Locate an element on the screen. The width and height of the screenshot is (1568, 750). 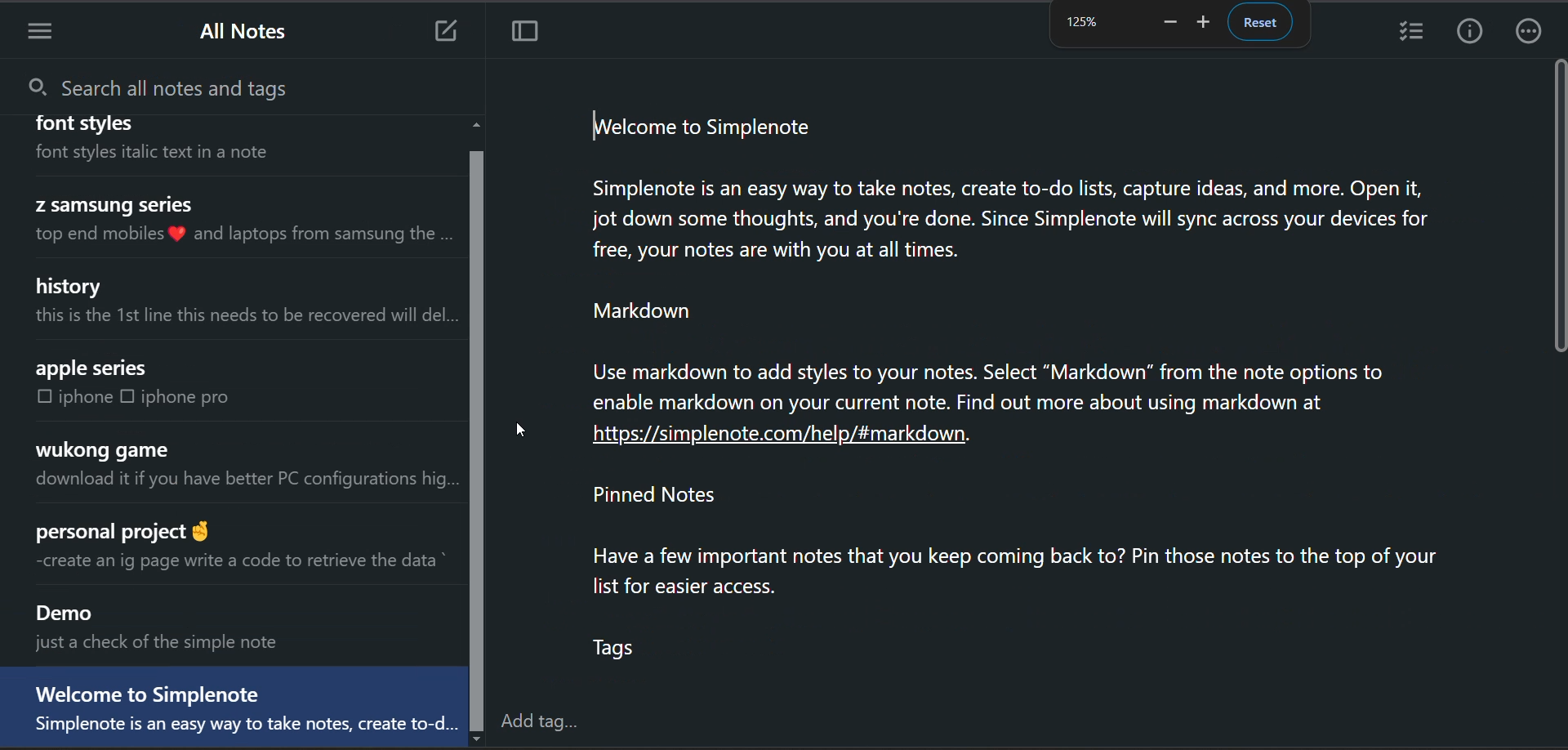
download it if you have better PC configurations hig is located at coordinates (239, 483).